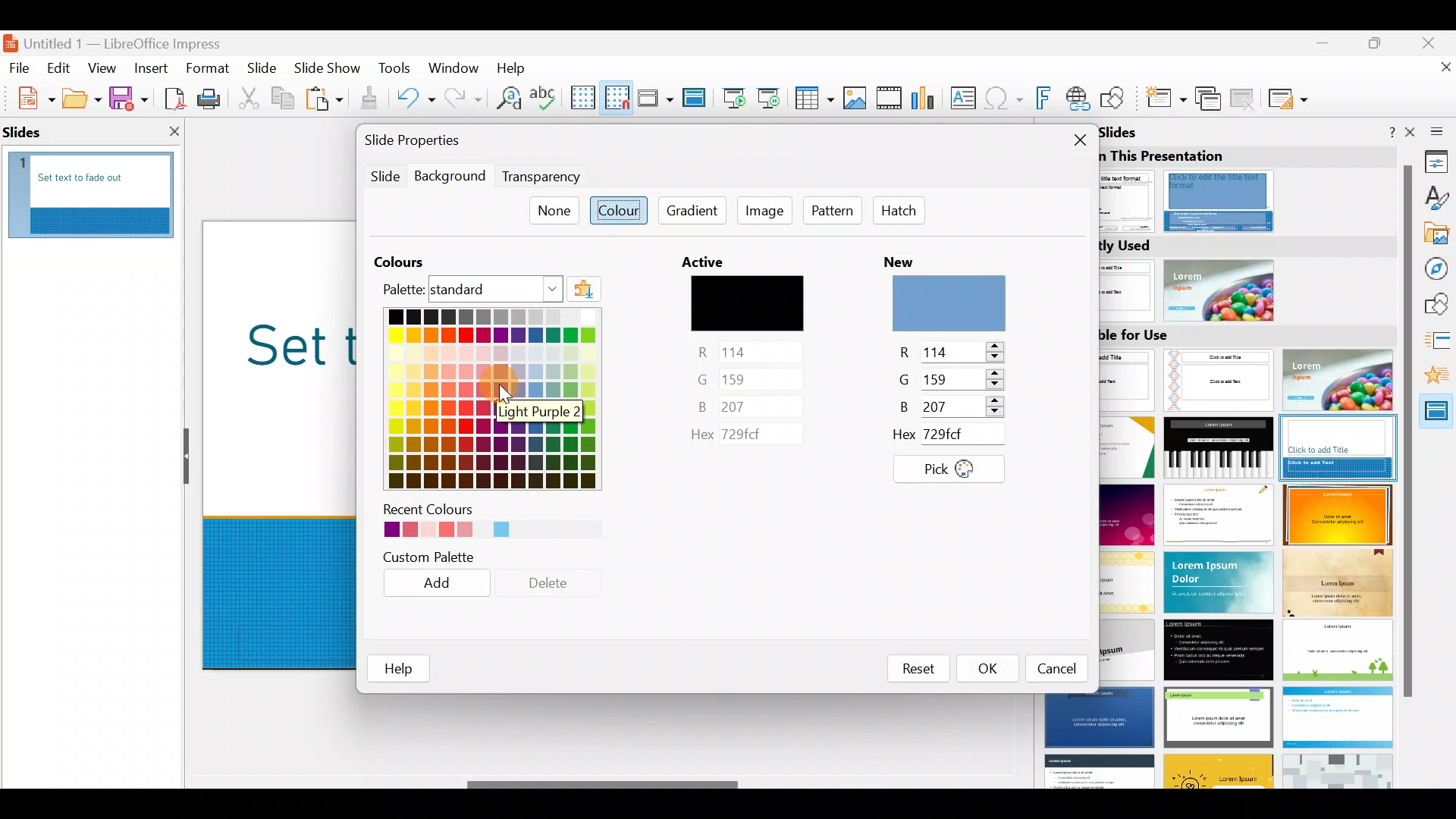  I want to click on Tools, so click(396, 71).